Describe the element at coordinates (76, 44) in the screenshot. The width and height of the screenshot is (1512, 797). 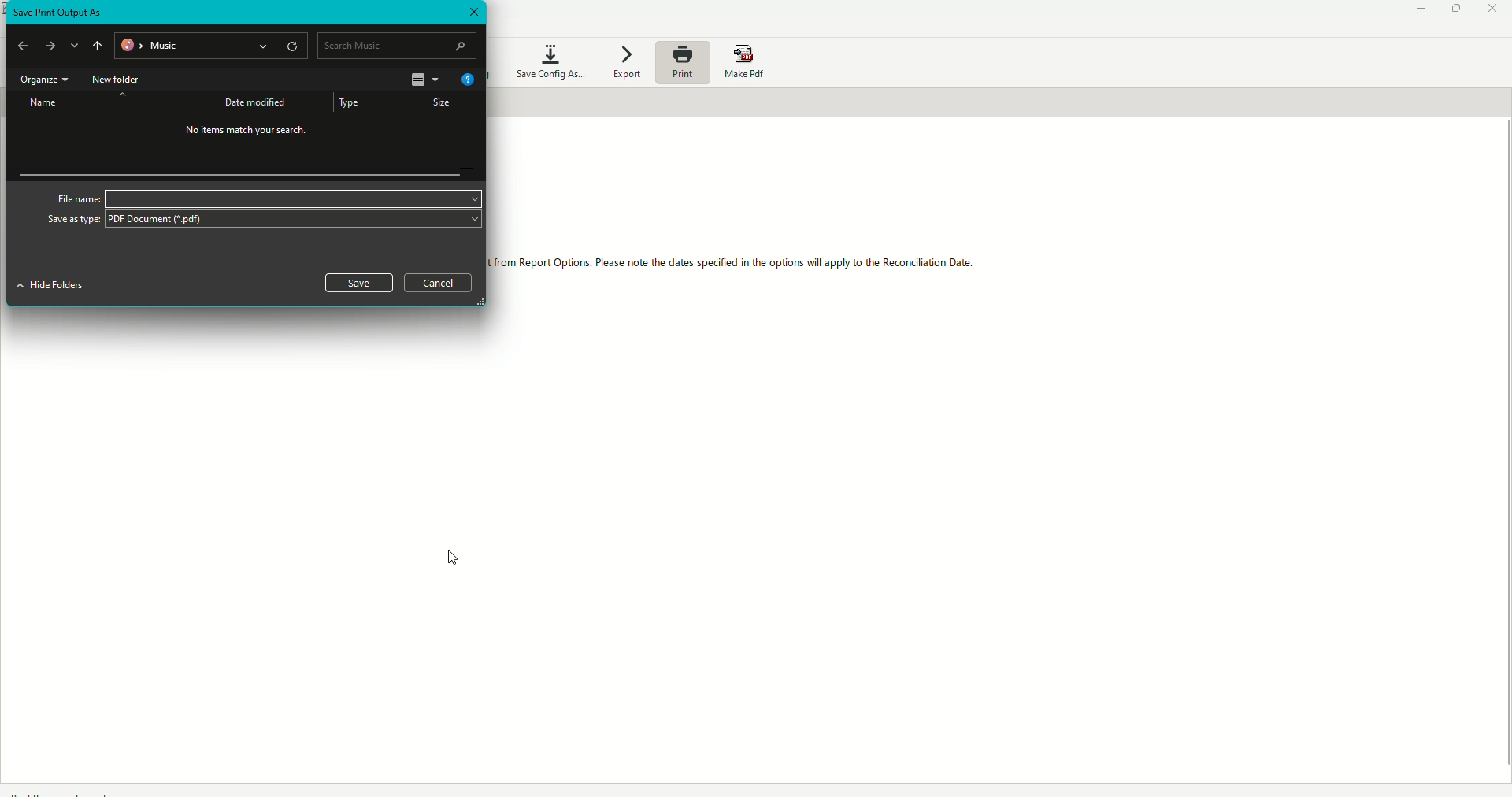
I see `recent` at that location.